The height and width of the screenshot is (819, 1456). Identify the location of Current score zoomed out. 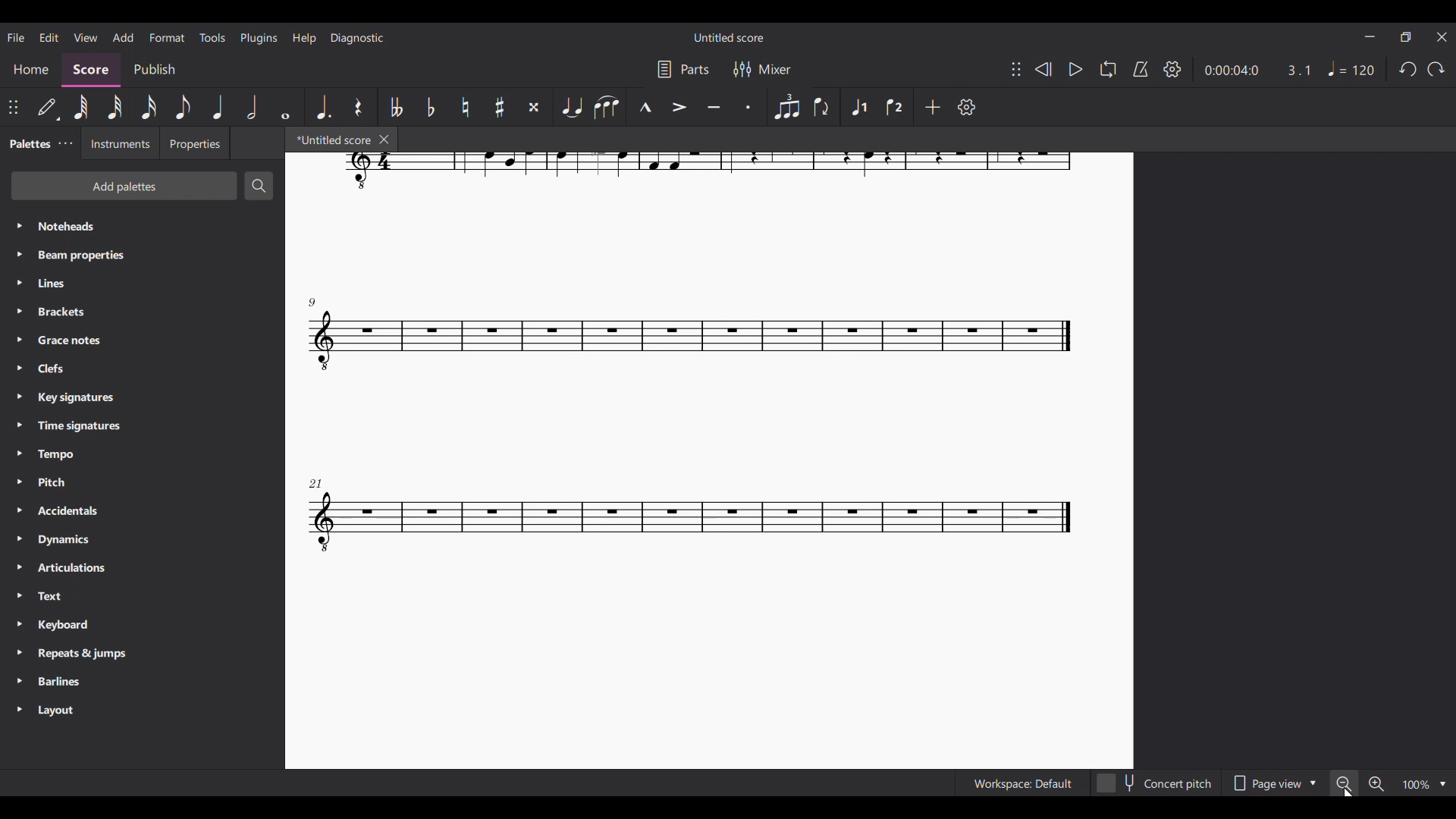
(710, 460).